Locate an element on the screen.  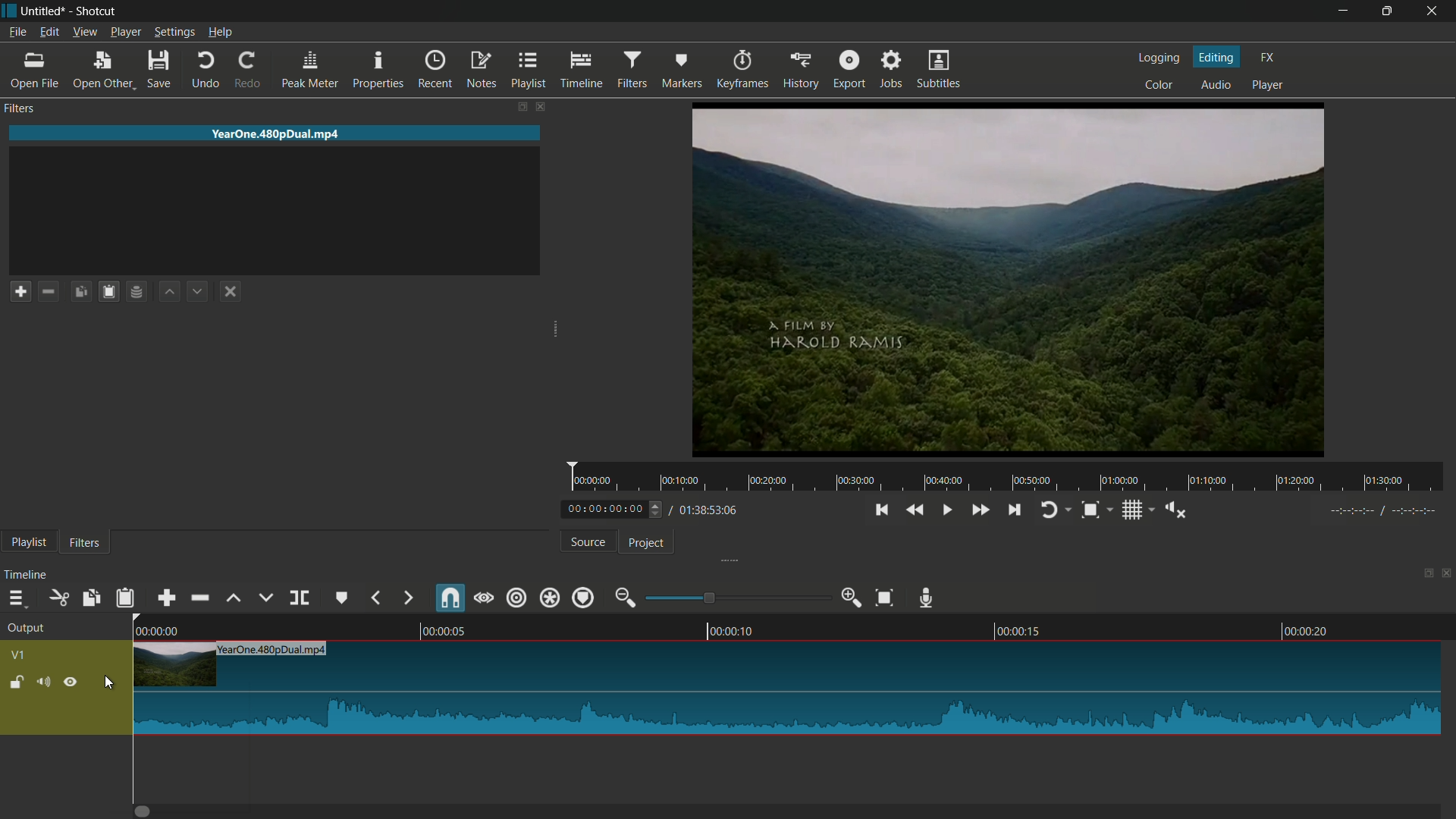
create or edit marker is located at coordinates (342, 597).